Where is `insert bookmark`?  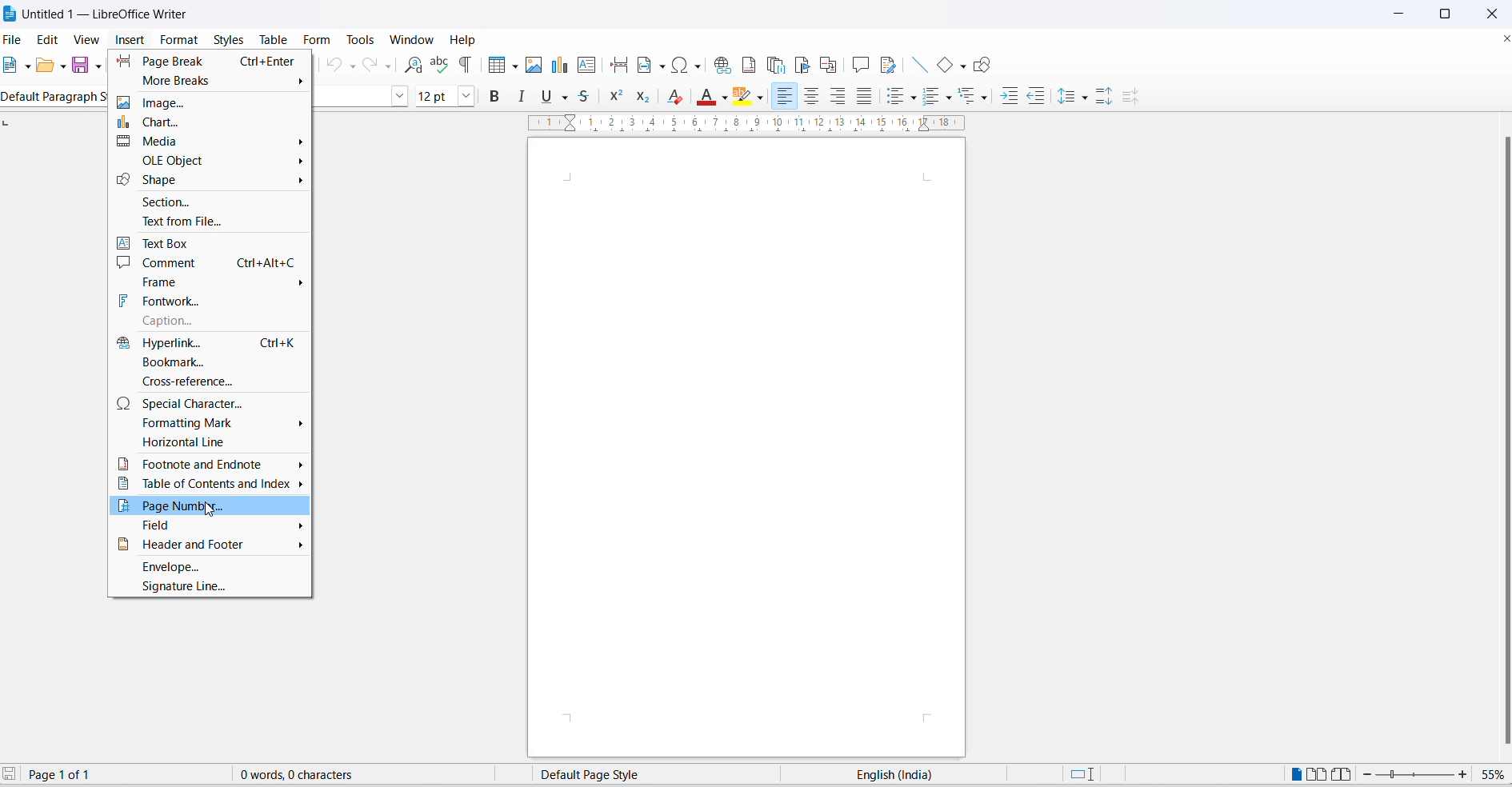 insert bookmark is located at coordinates (801, 65).